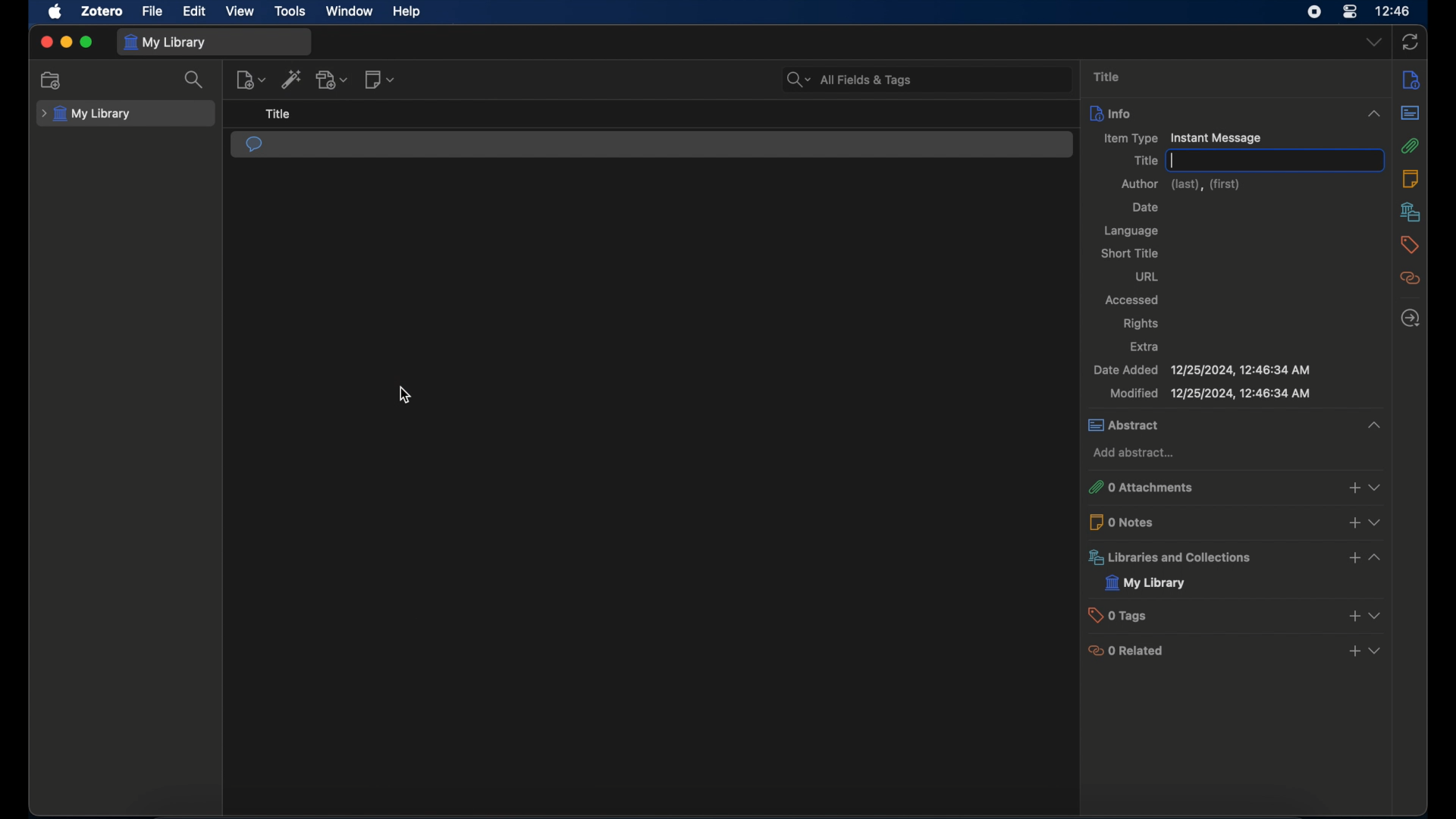 This screenshot has height=819, width=1456. Describe the element at coordinates (251, 80) in the screenshot. I see `new item` at that location.